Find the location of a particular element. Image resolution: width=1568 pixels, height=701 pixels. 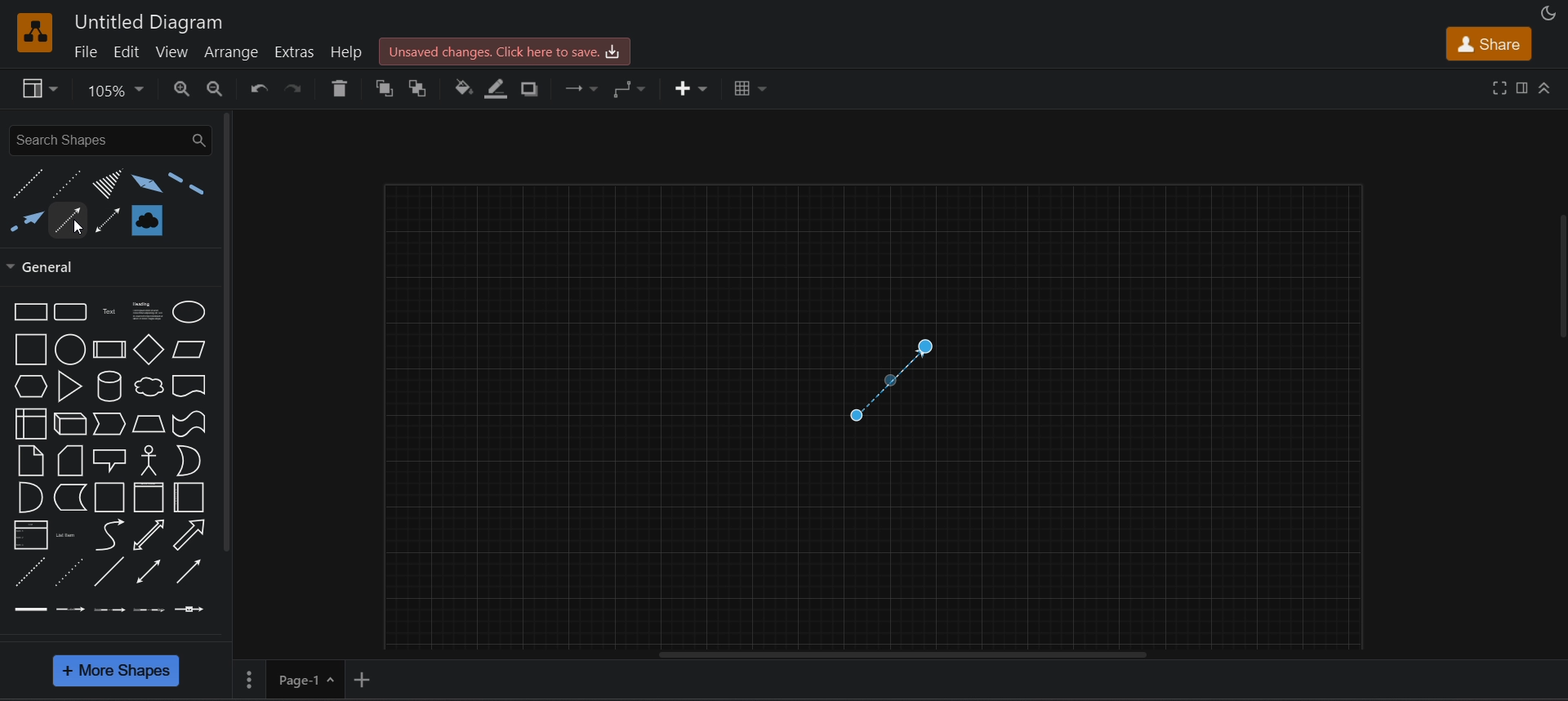

format is located at coordinates (1524, 87).